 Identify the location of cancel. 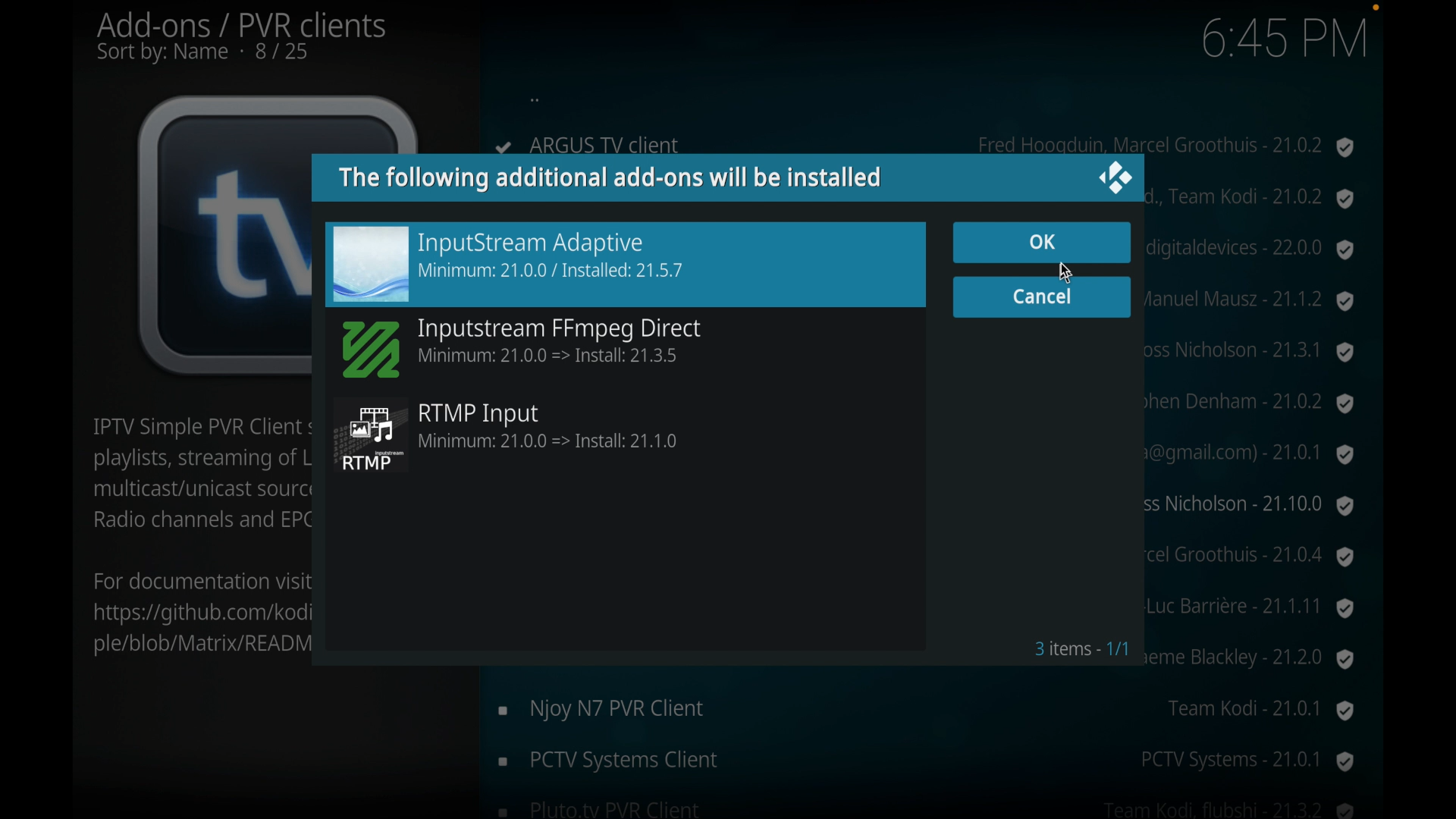
(1040, 297).